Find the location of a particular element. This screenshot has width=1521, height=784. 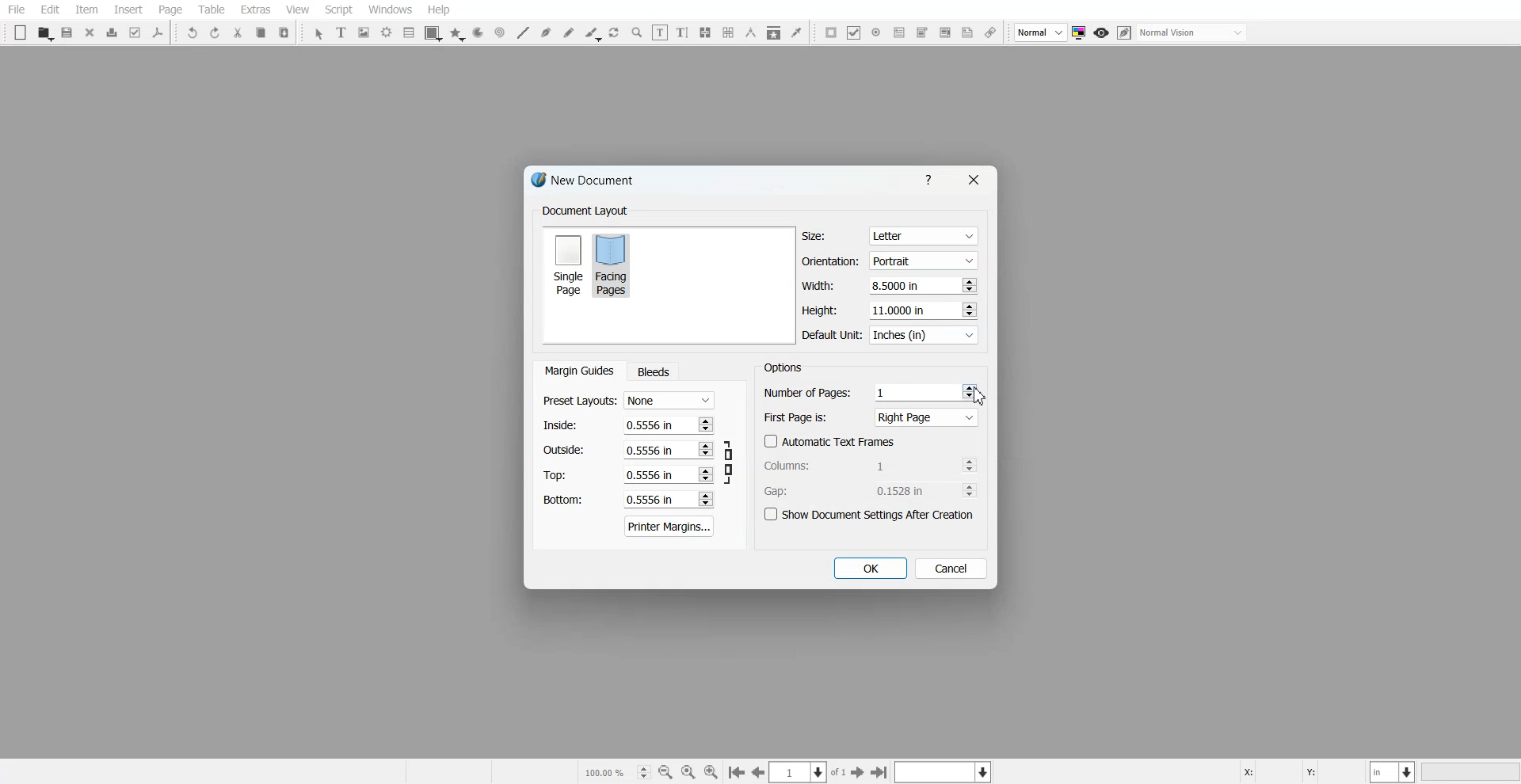

Close is located at coordinates (972, 180).